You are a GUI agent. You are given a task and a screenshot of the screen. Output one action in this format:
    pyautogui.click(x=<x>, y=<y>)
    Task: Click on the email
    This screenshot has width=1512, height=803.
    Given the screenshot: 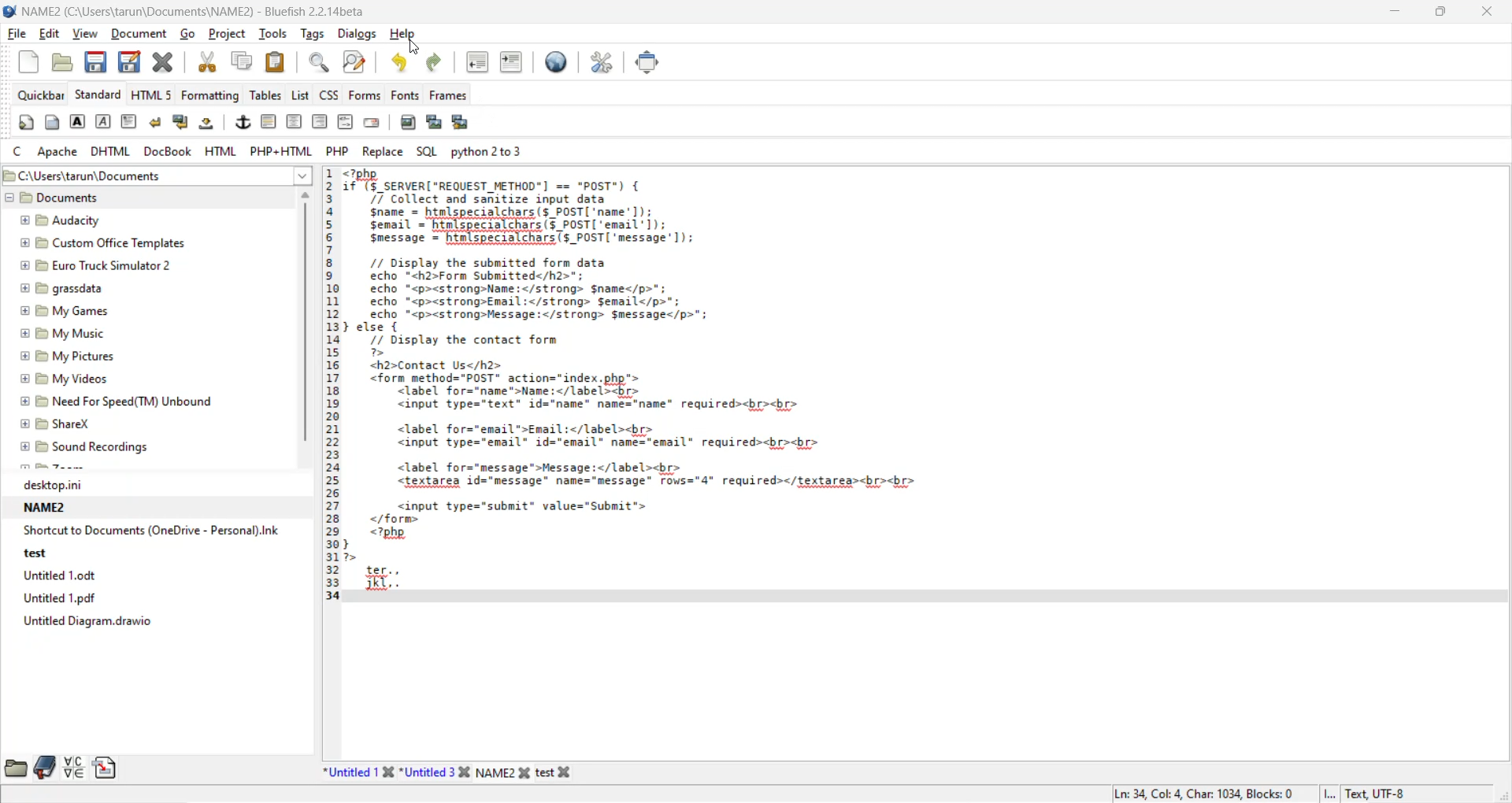 What is the action you would take?
    pyautogui.click(x=376, y=124)
    